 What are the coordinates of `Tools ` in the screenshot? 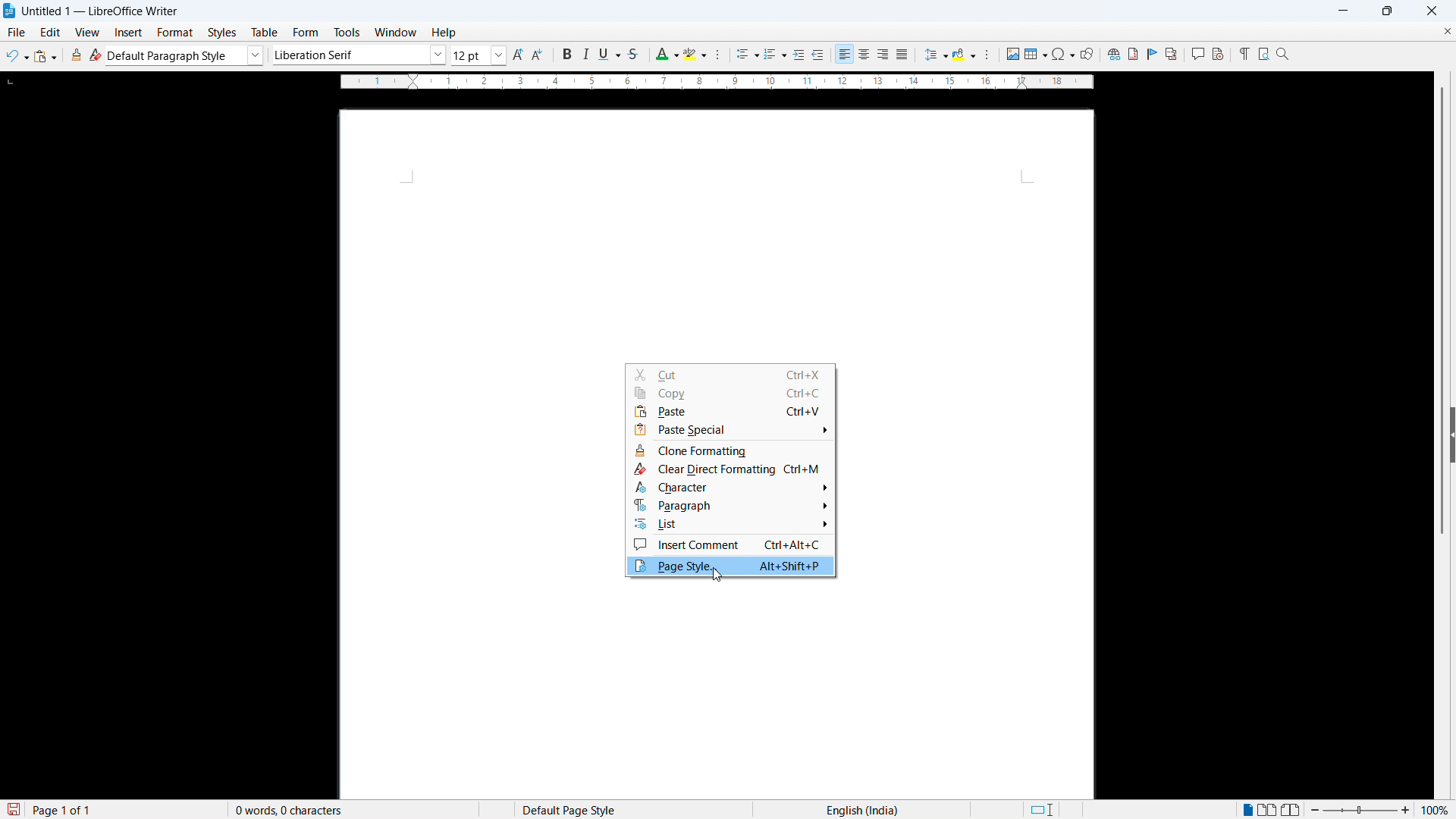 It's located at (346, 33).